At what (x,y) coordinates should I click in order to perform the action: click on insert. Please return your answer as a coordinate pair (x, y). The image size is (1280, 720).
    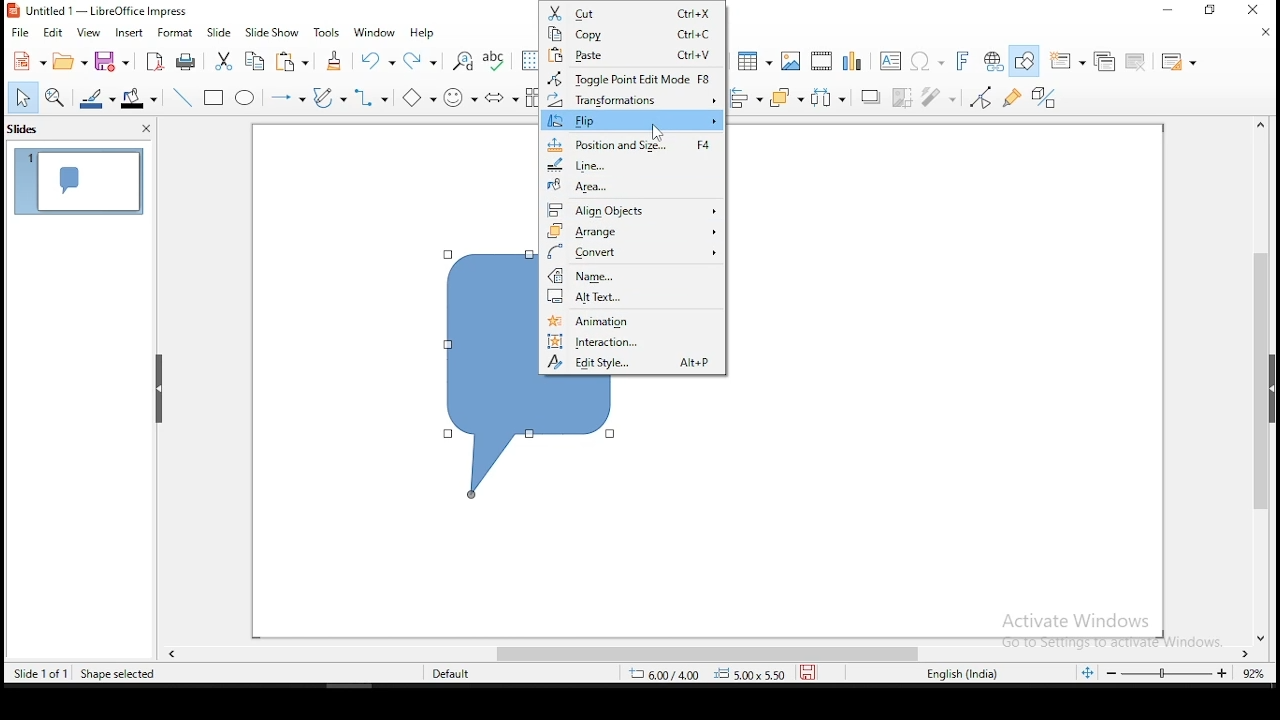
    Looking at the image, I should click on (128, 33).